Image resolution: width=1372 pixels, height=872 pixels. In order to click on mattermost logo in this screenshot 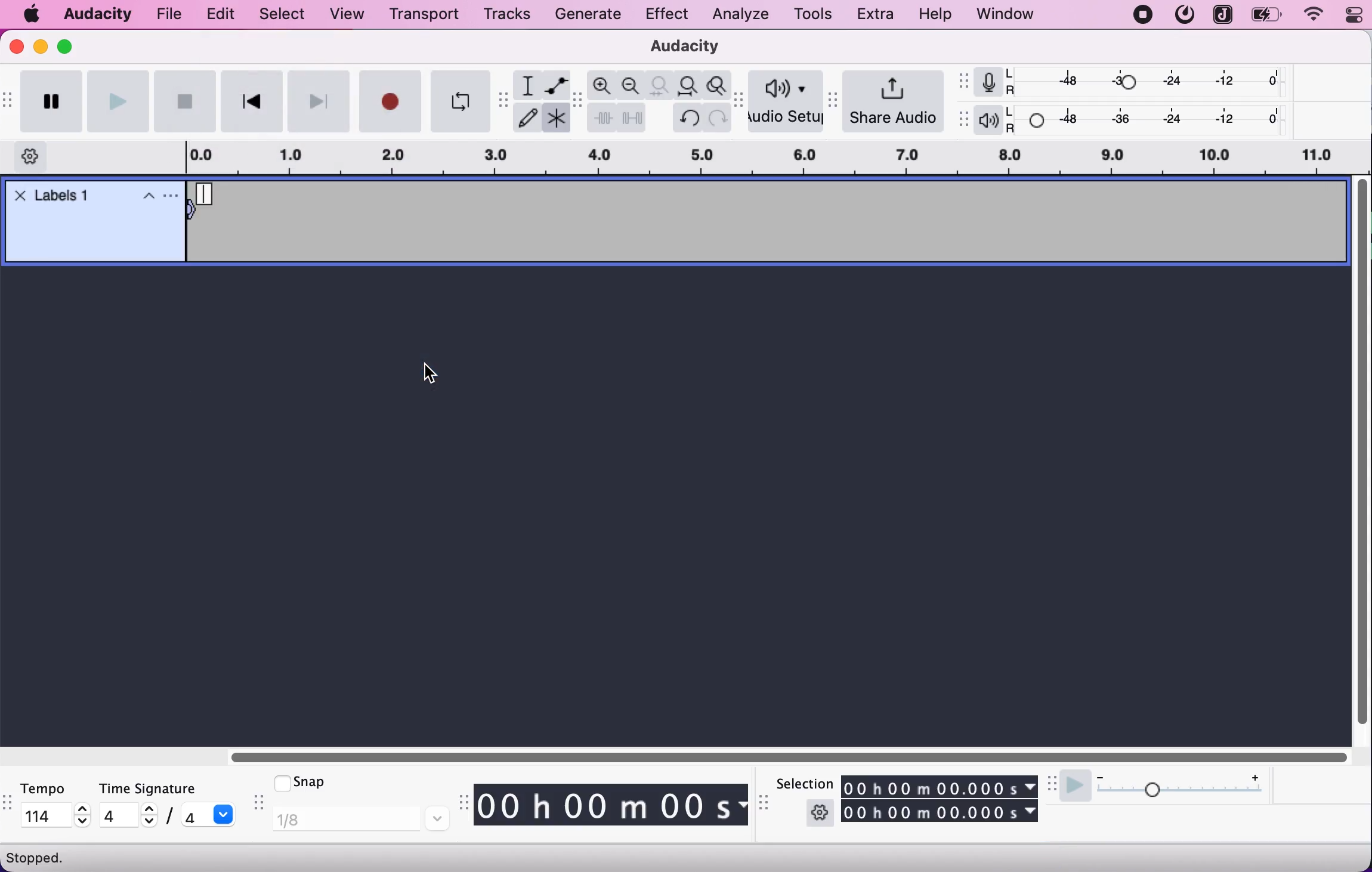, I will do `click(1183, 15)`.